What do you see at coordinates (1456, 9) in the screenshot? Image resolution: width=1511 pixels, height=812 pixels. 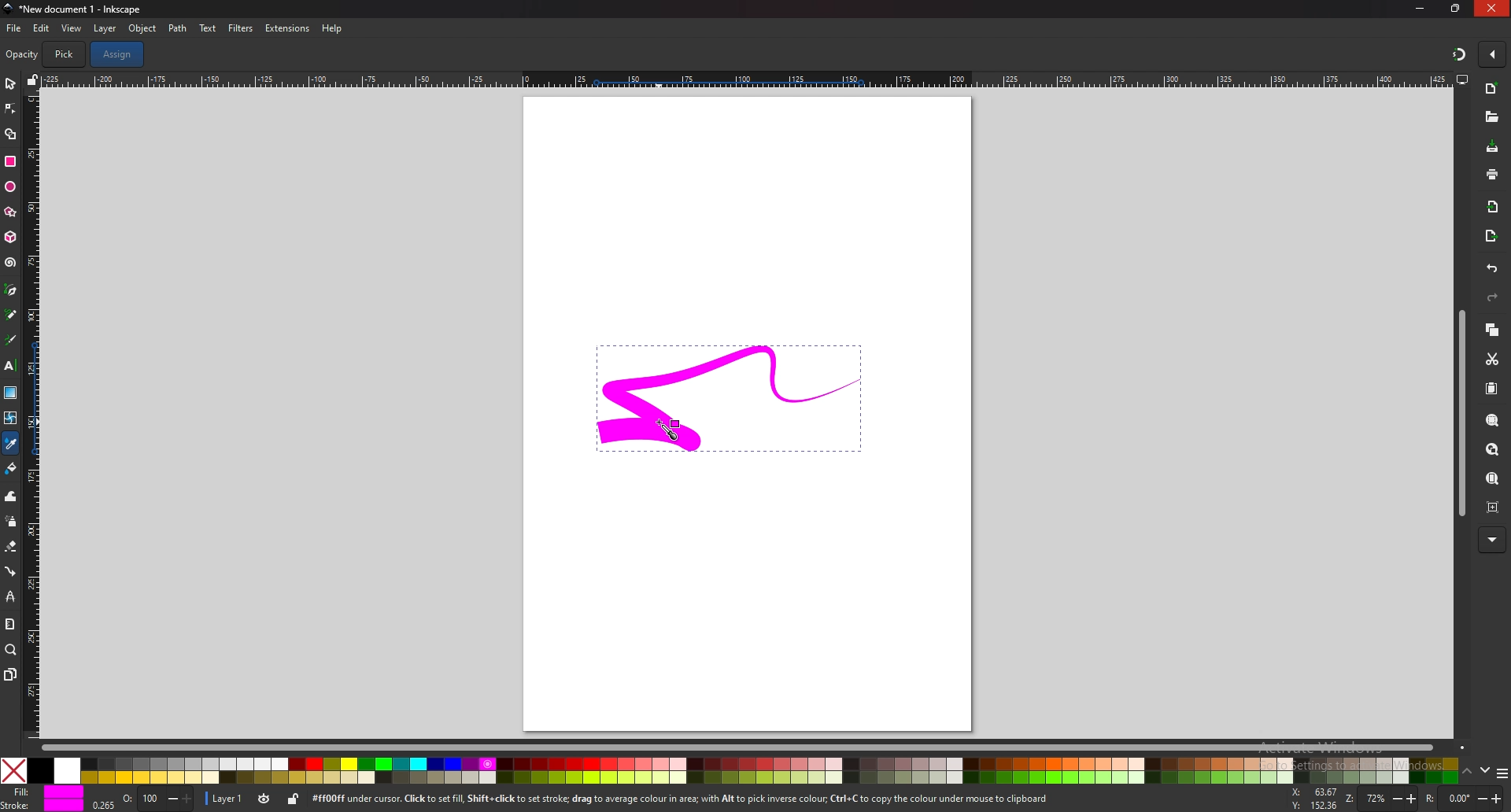 I see `resize` at bounding box center [1456, 9].